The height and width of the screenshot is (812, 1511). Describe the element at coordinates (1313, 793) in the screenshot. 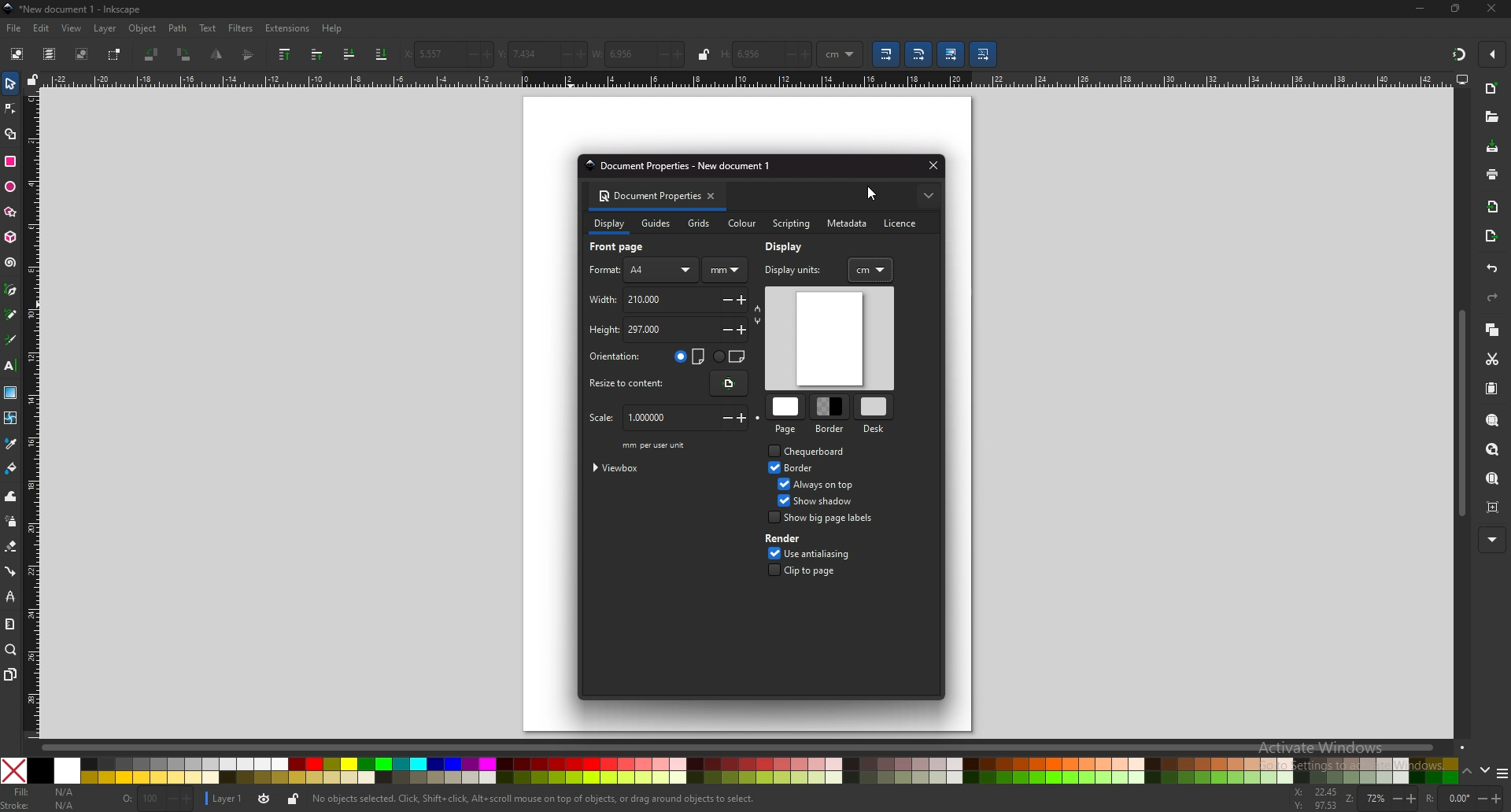

I see `cursor coordinates x-axis` at that location.